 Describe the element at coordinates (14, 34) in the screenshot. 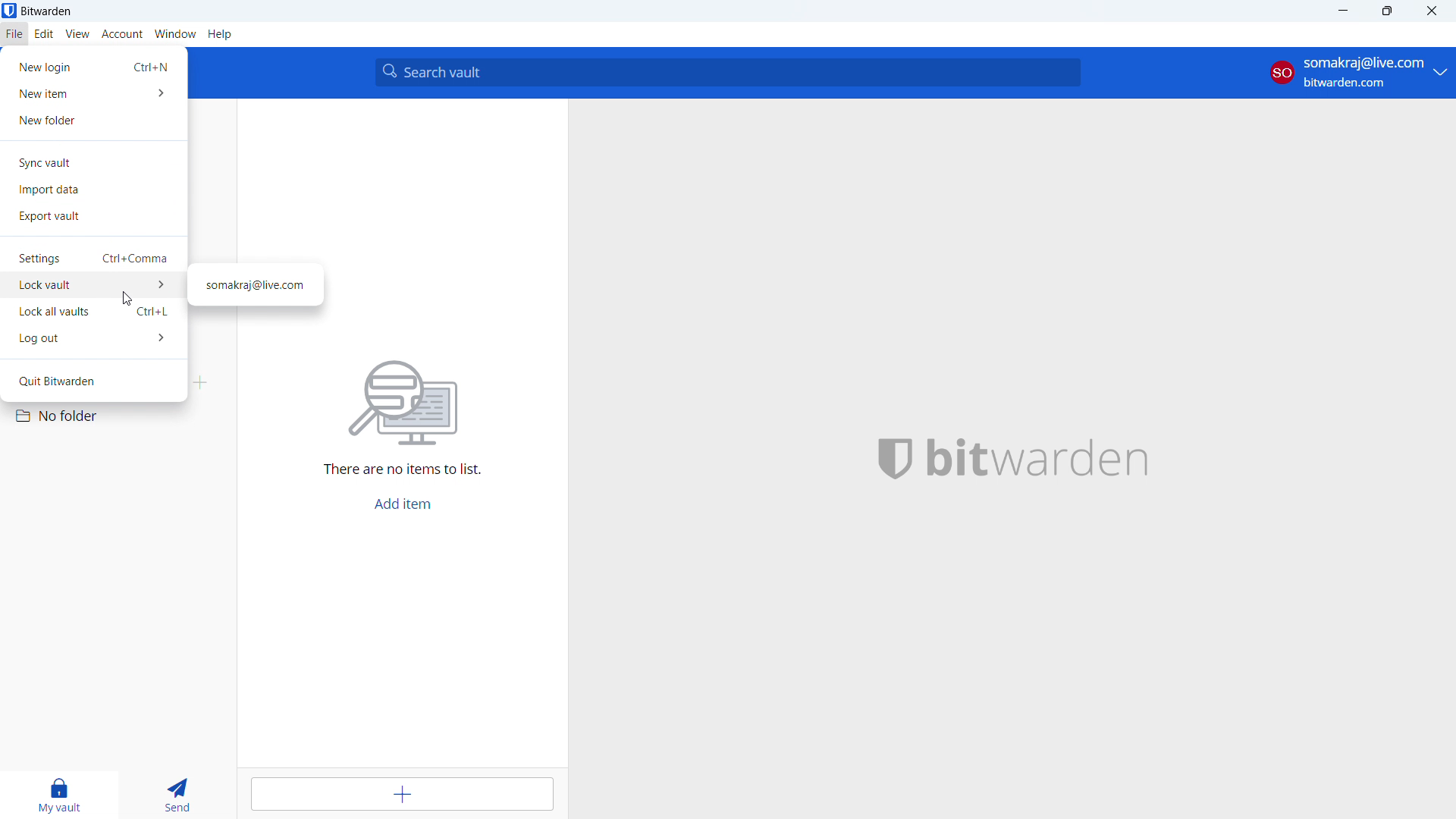

I see `file` at that location.